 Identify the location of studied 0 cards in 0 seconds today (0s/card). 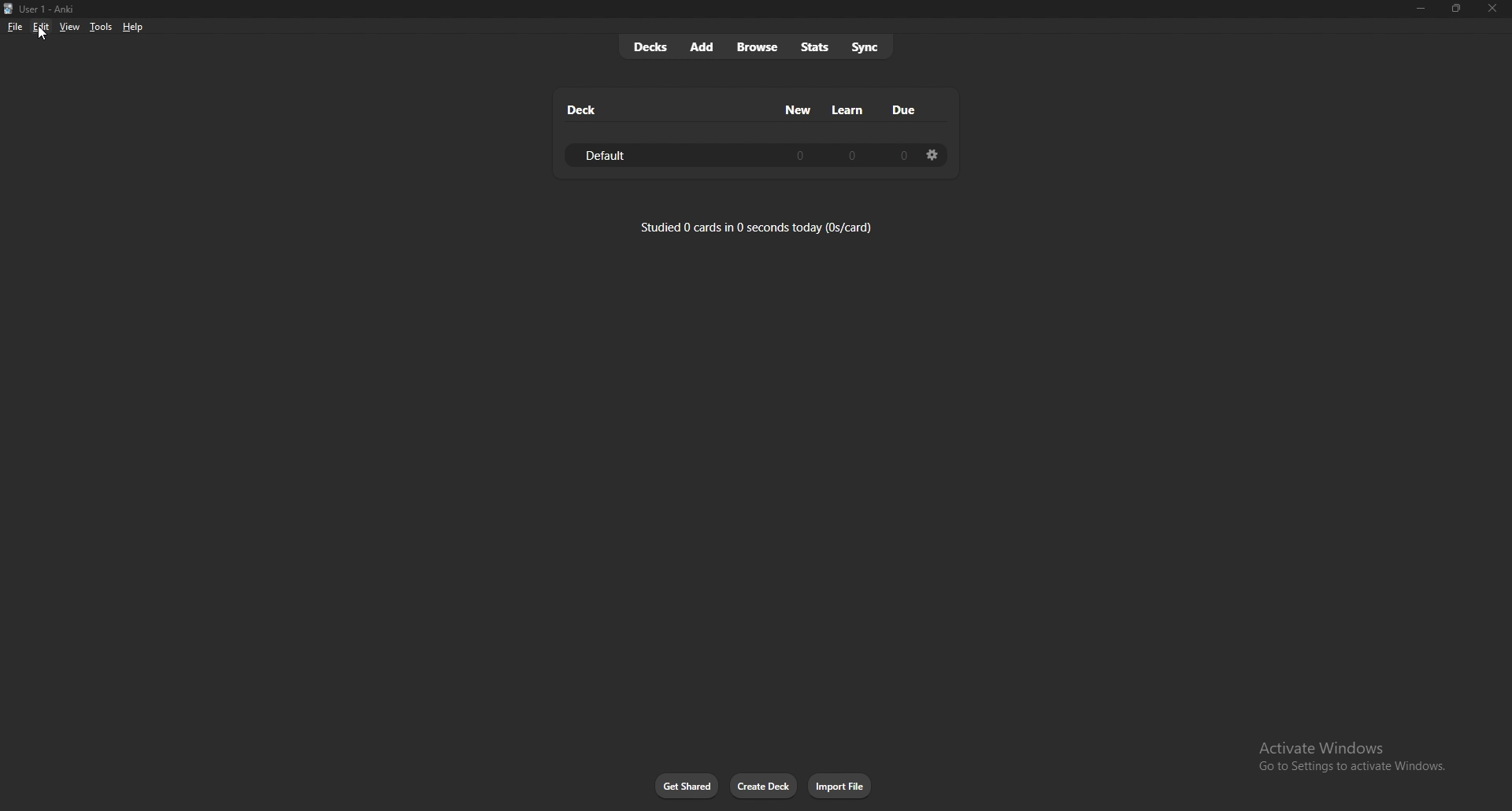
(758, 227).